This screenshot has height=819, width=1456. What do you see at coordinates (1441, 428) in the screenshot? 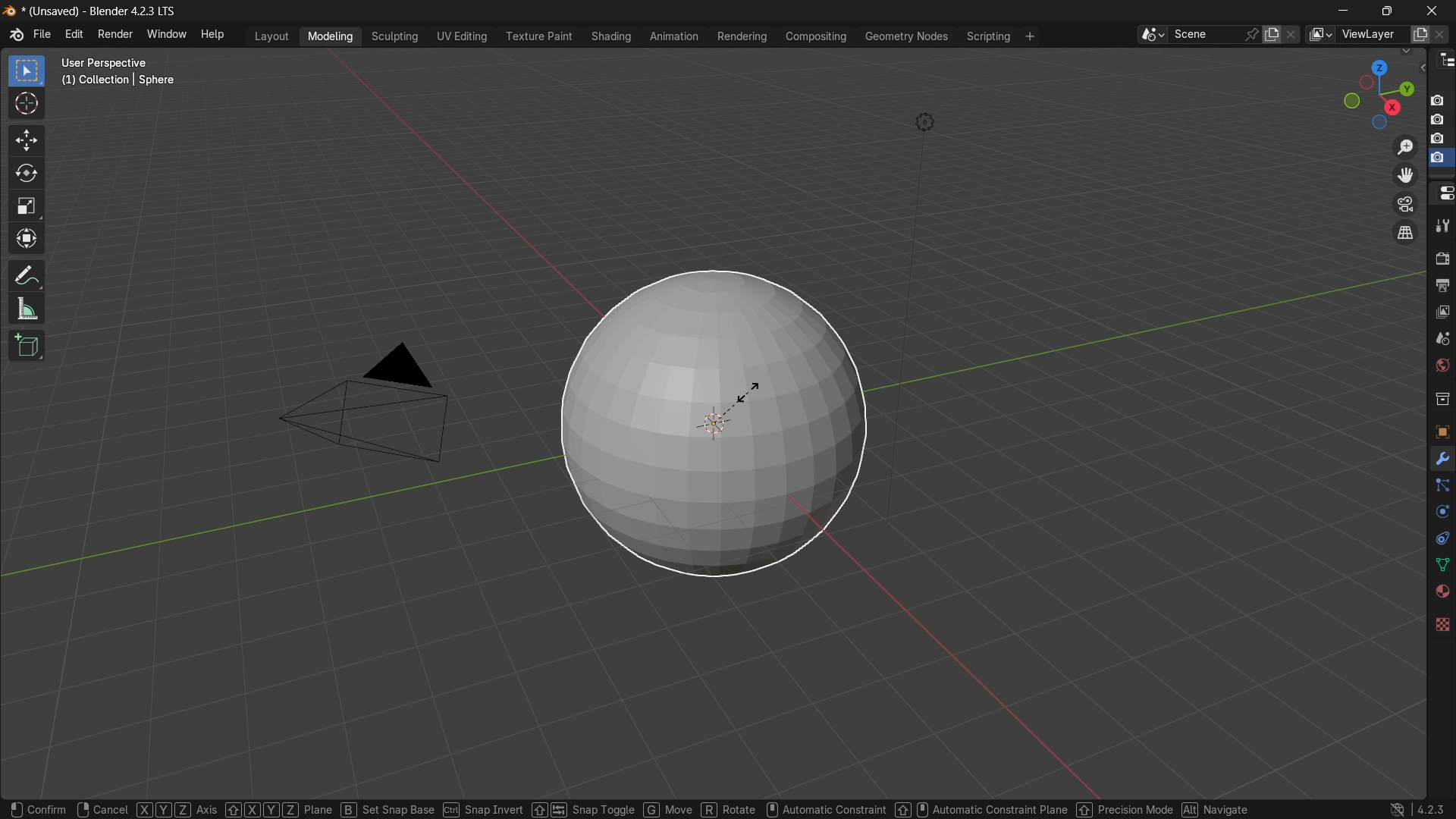
I see `object` at bounding box center [1441, 428].